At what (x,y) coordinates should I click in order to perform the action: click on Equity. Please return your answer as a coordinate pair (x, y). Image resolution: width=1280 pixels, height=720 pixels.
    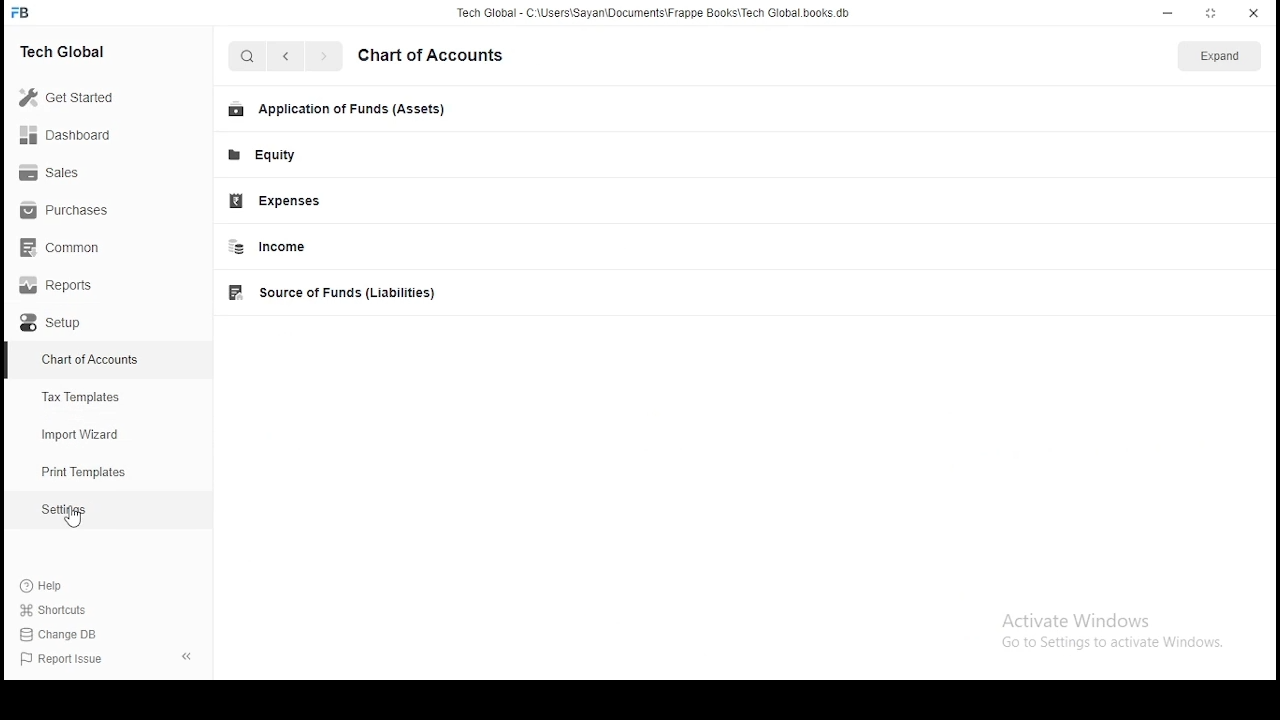
    Looking at the image, I should click on (292, 159).